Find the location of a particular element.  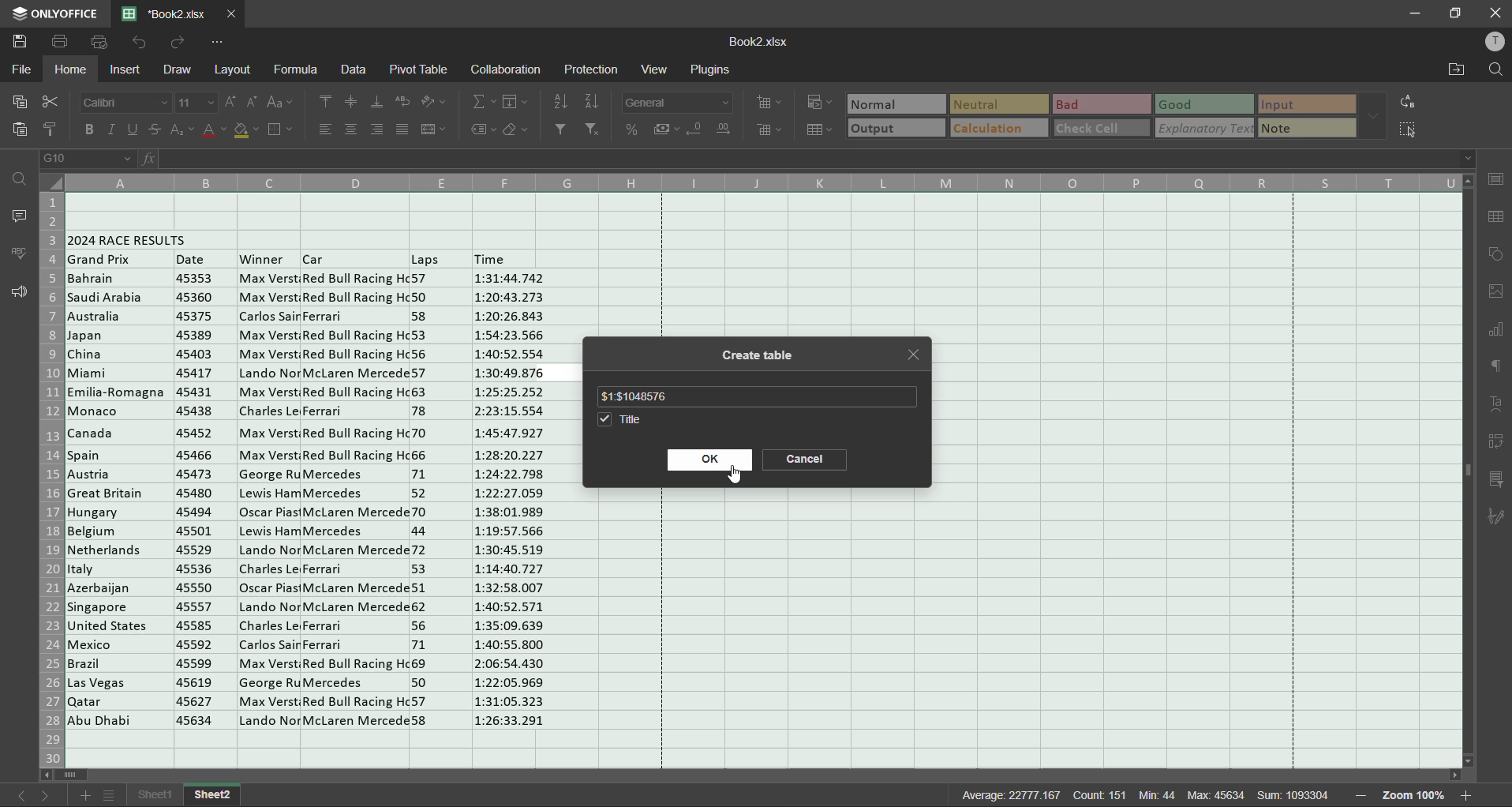

min is located at coordinates (1158, 795).